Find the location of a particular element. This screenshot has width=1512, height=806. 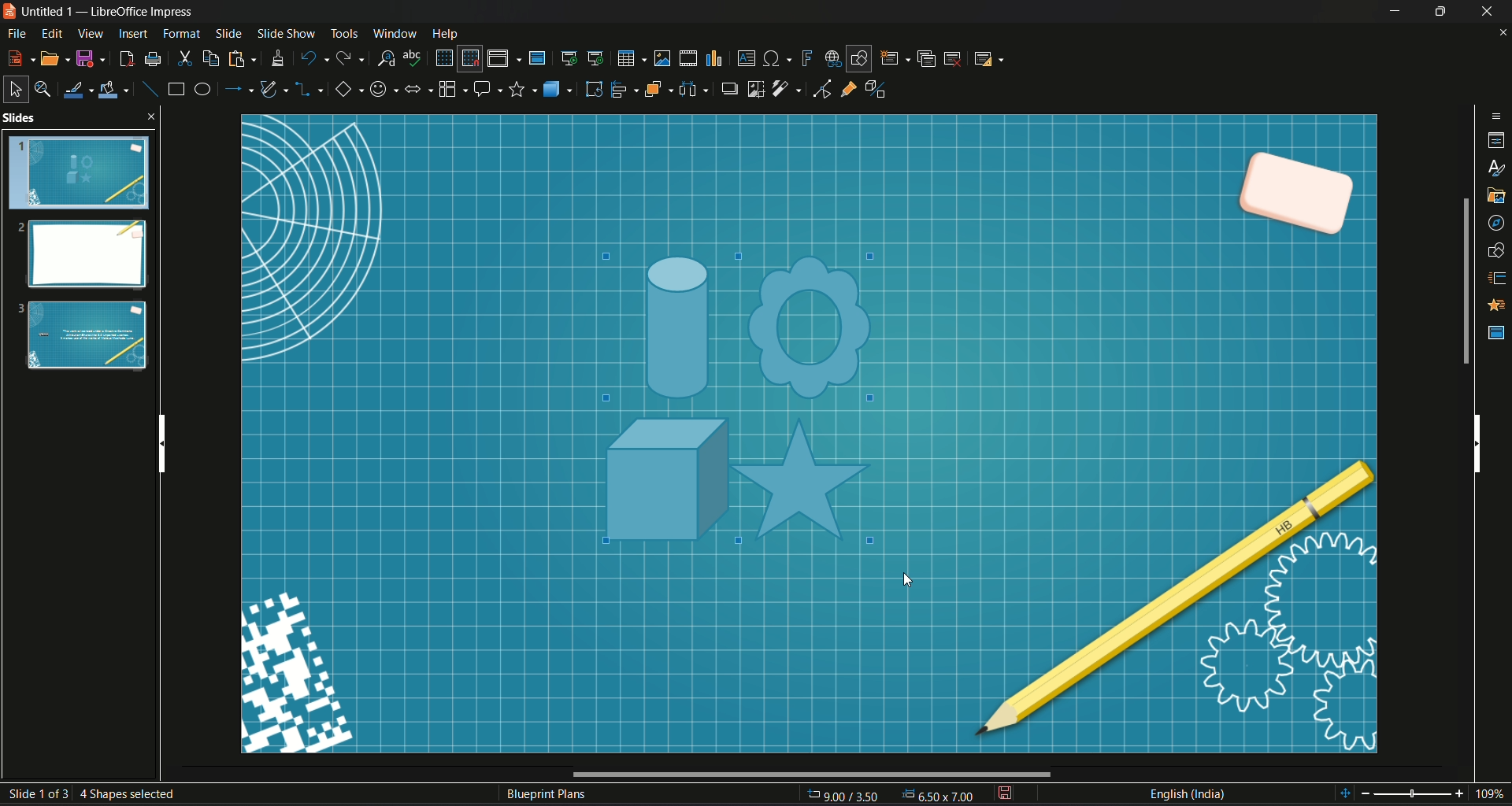

Text is located at coordinates (547, 796).